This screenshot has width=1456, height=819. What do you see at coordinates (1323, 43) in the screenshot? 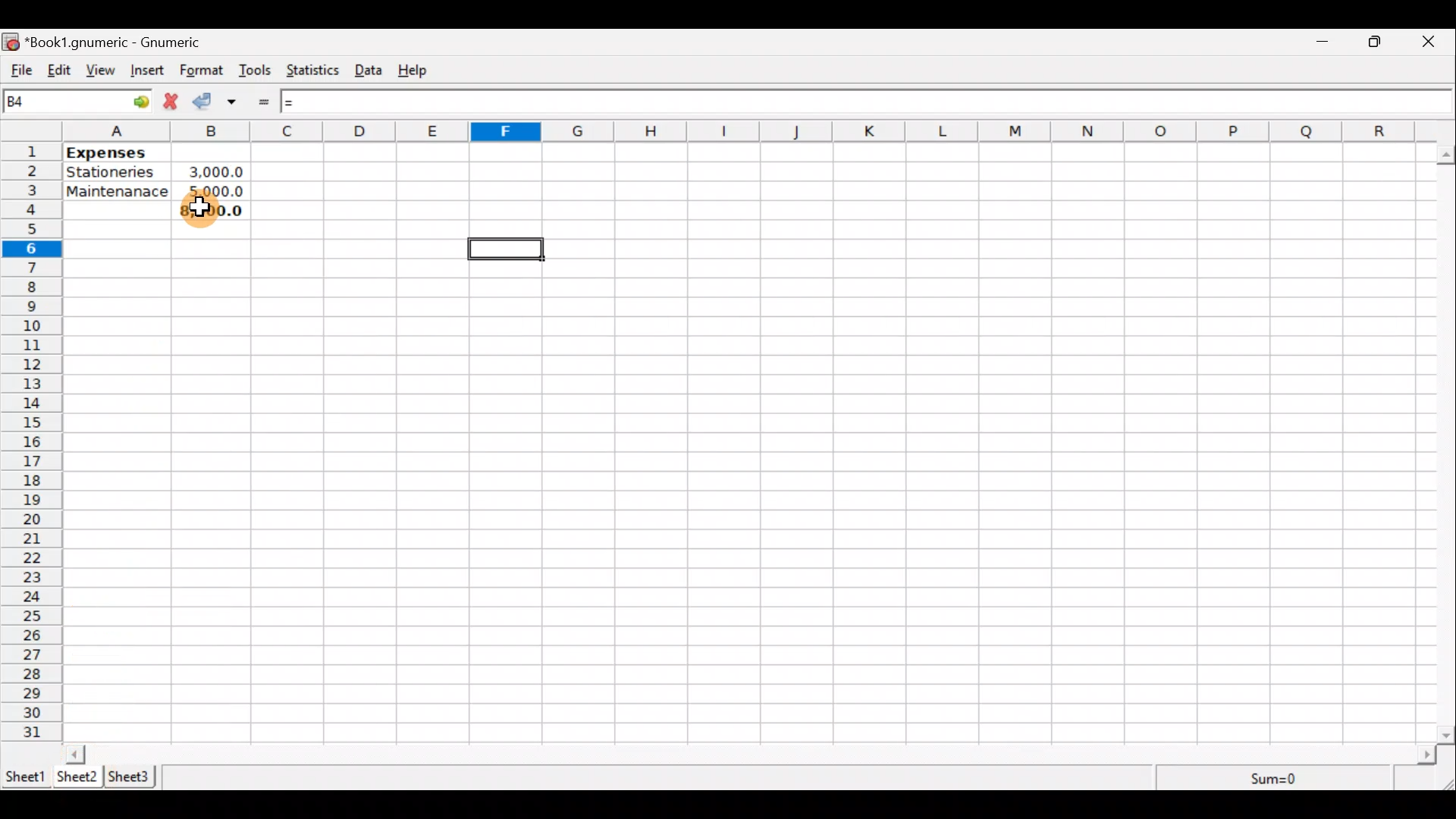
I see `Minimize` at bounding box center [1323, 43].